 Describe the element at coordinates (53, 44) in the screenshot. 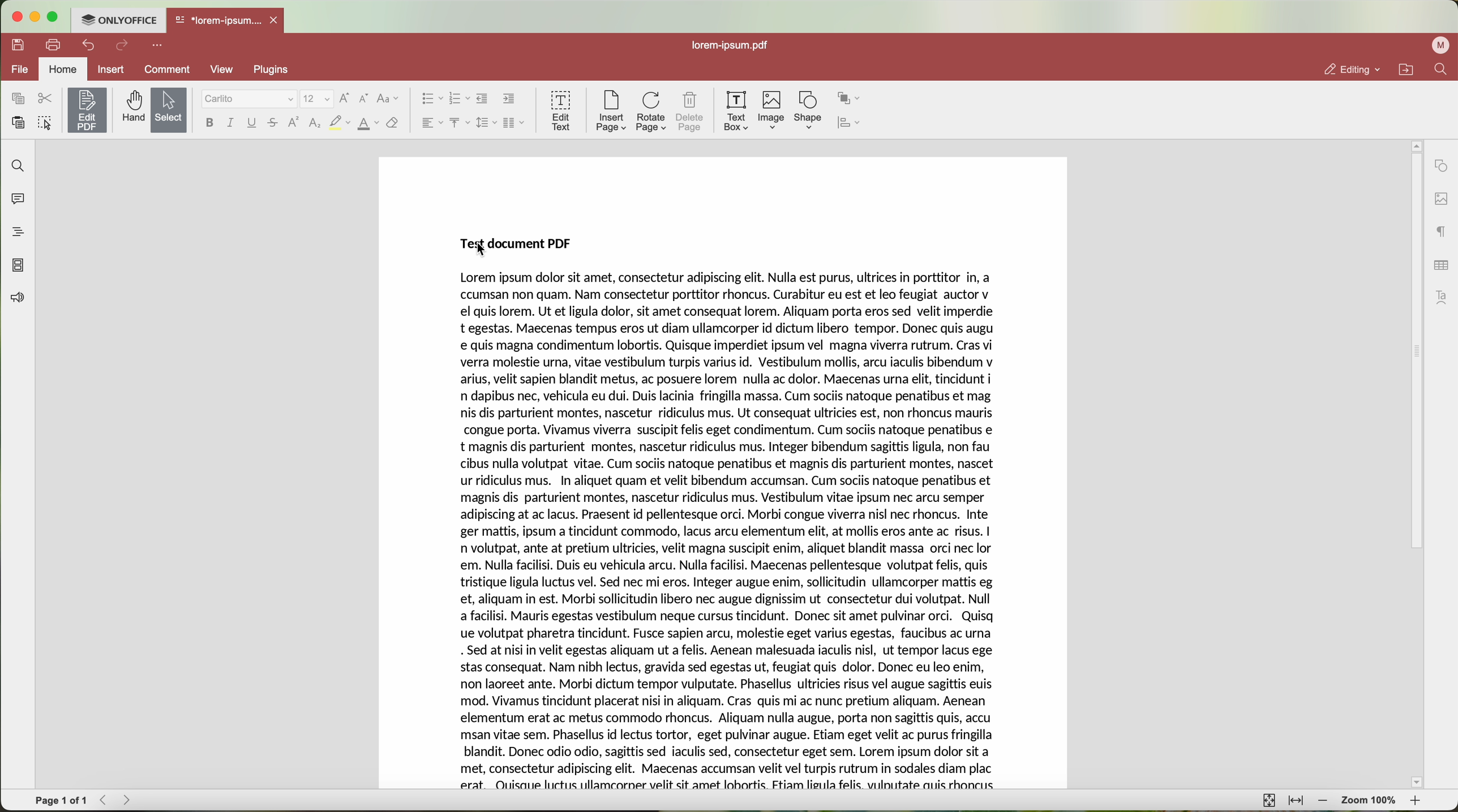

I see `print` at that location.